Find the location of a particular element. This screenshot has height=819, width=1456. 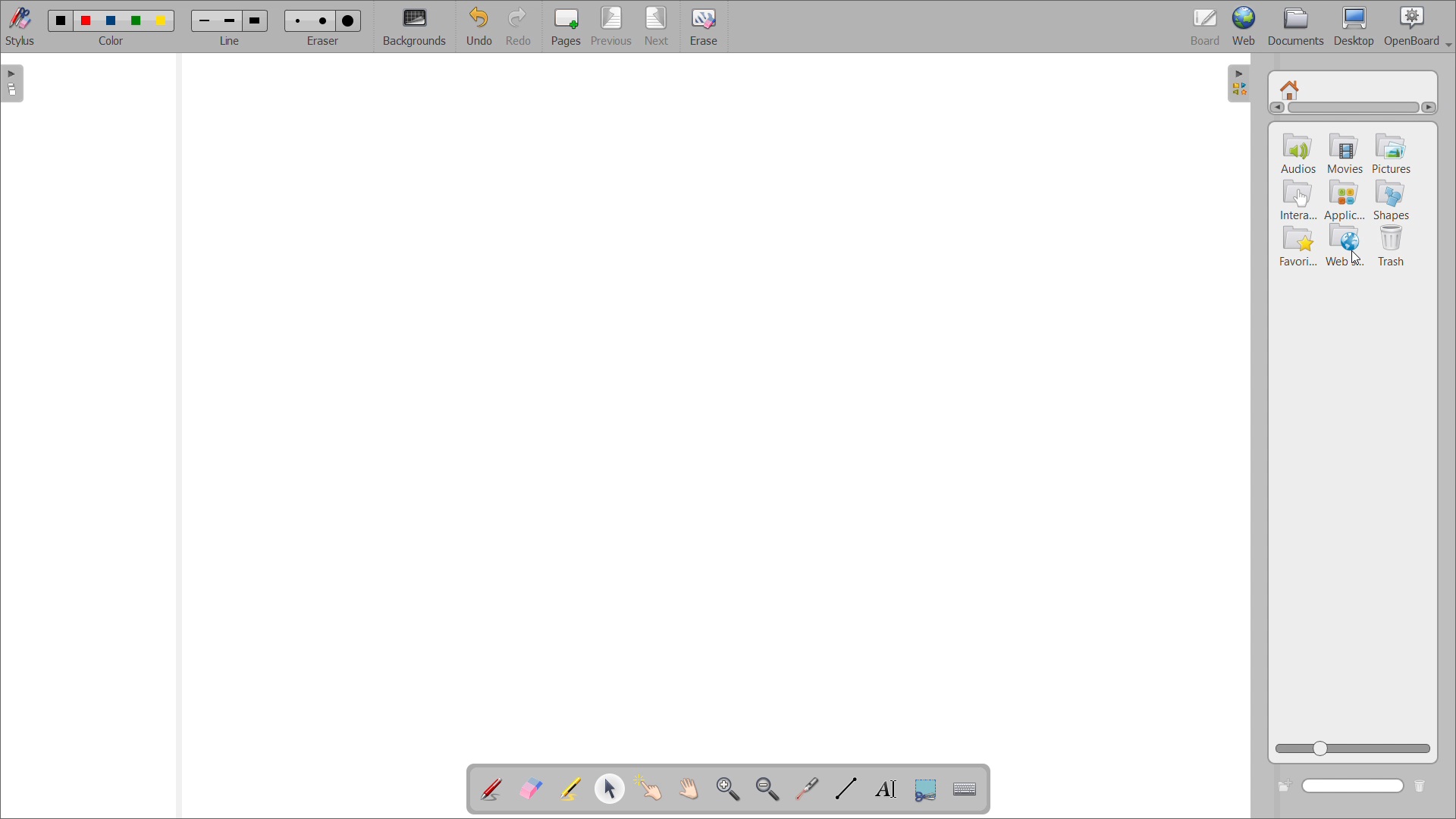

toggle stylus is located at coordinates (20, 26).